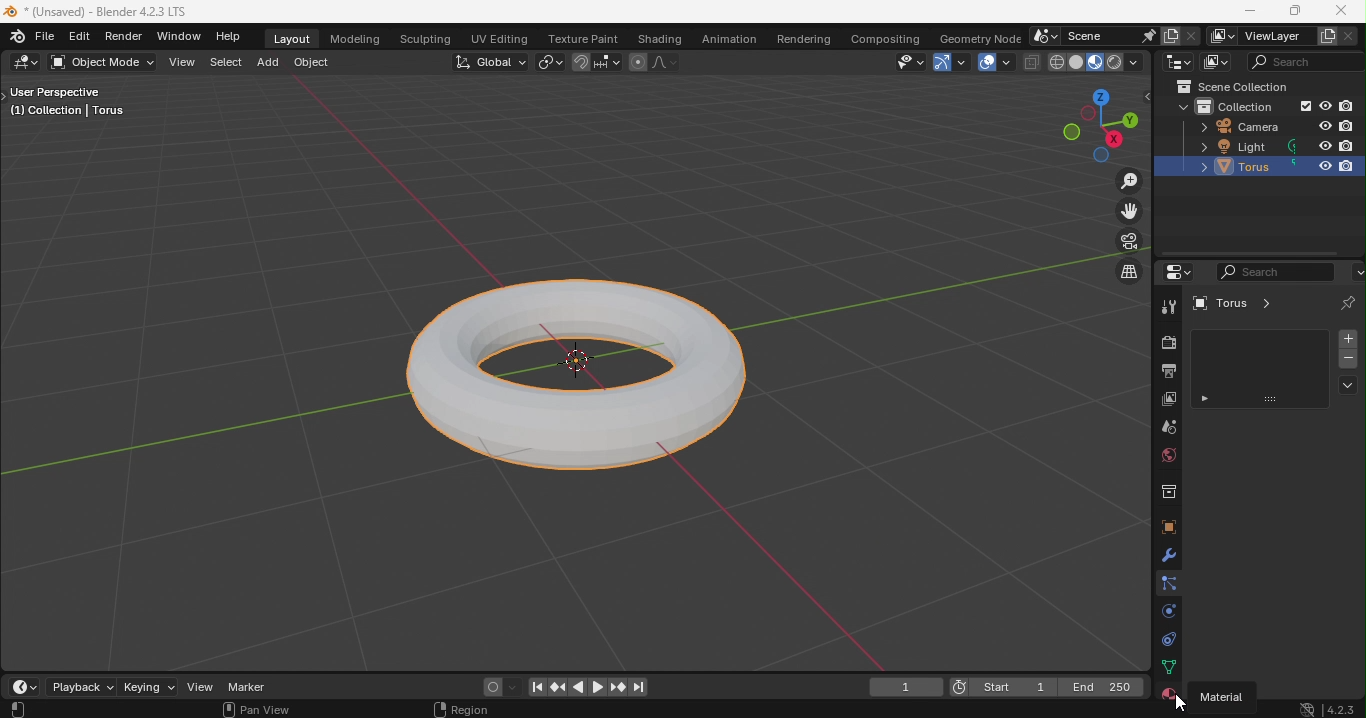  Describe the element at coordinates (293, 38) in the screenshot. I see `Layout` at that location.